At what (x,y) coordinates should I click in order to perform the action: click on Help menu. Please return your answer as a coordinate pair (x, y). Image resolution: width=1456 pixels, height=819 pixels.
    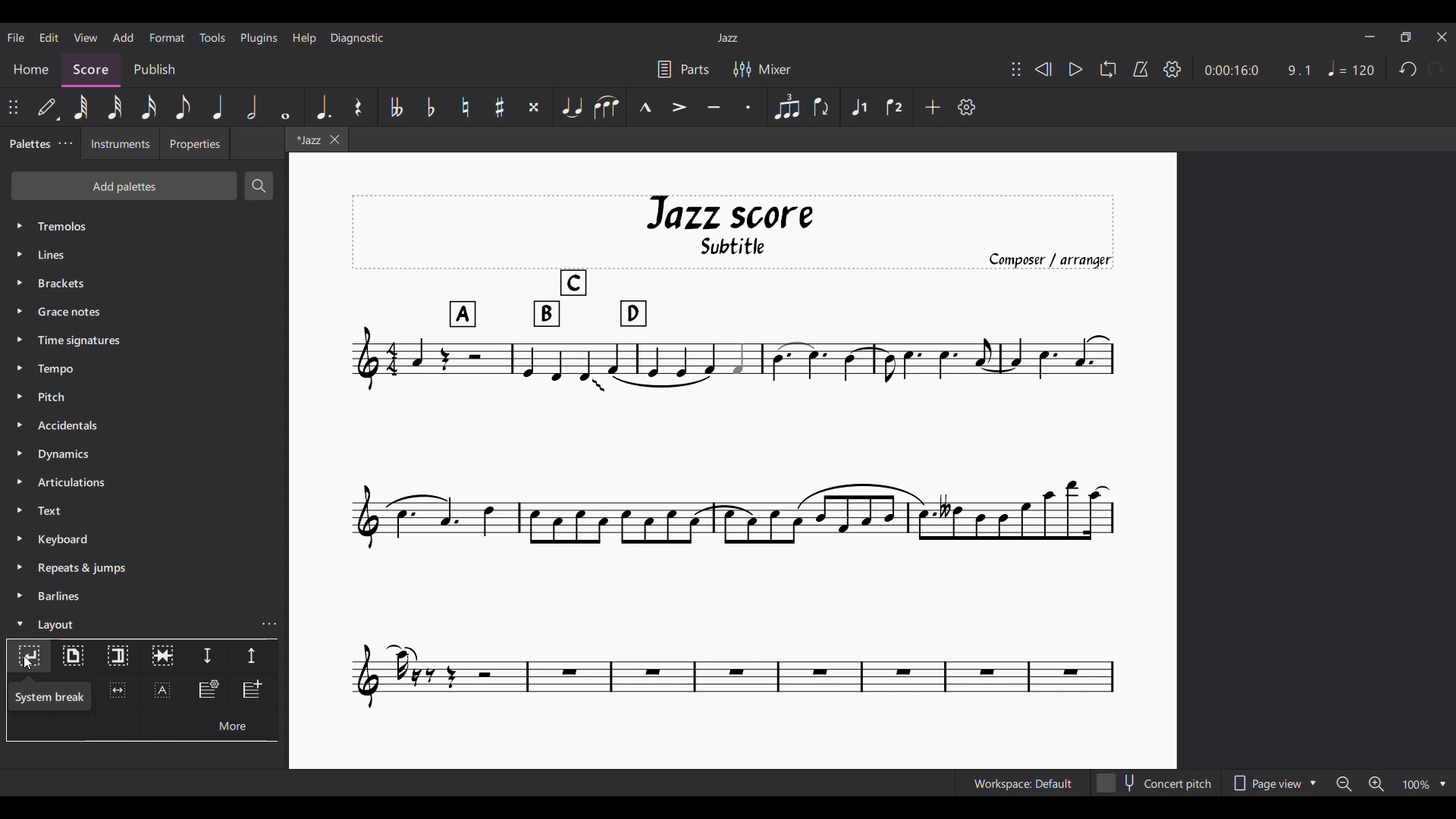
    Looking at the image, I should click on (305, 39).